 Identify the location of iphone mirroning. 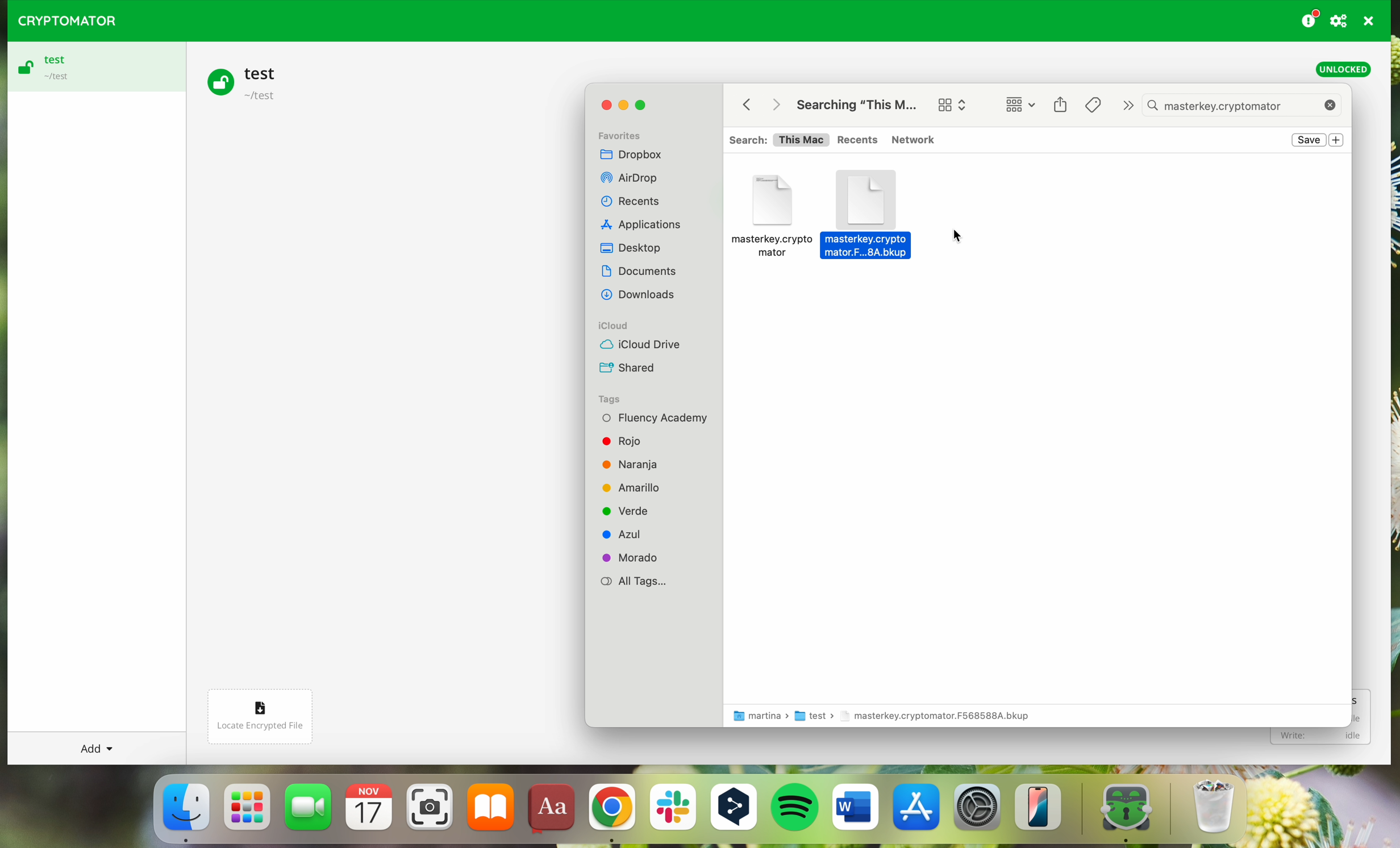
(1043, 811).